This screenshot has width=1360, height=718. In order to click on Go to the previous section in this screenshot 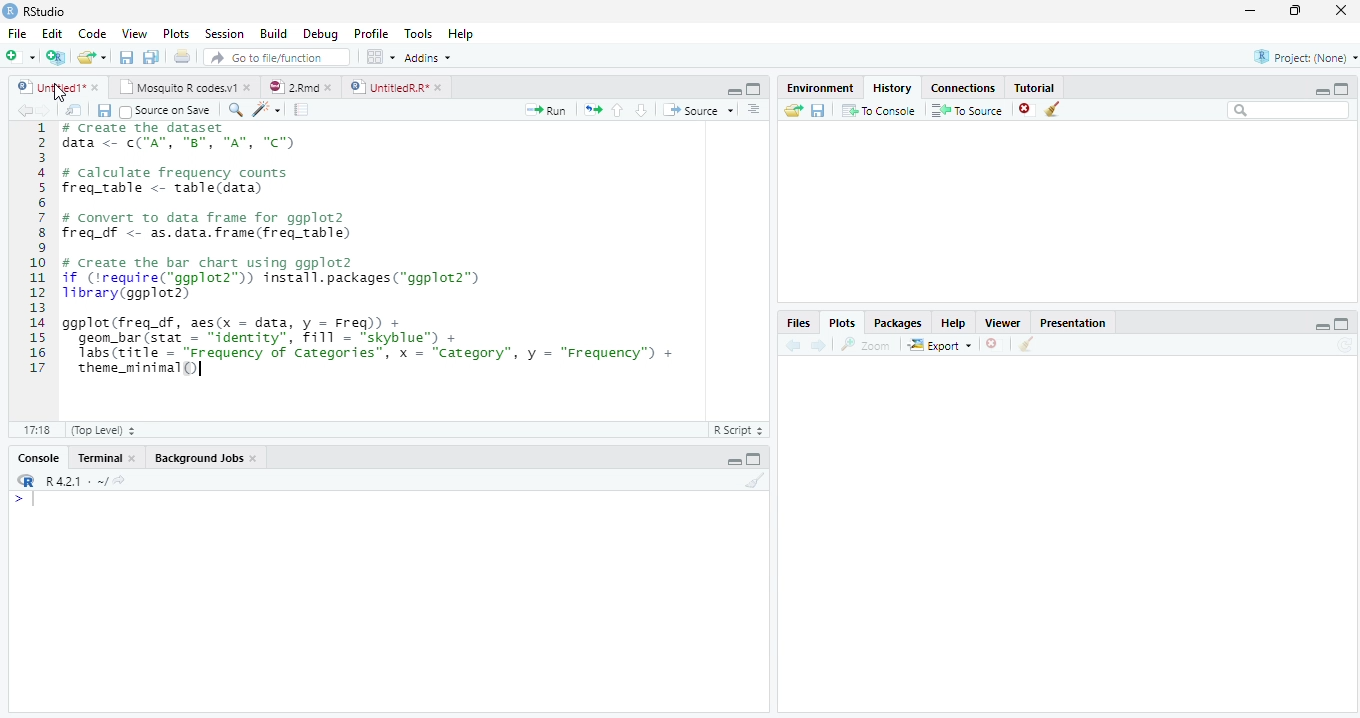, I will do `click(617, 109)`.